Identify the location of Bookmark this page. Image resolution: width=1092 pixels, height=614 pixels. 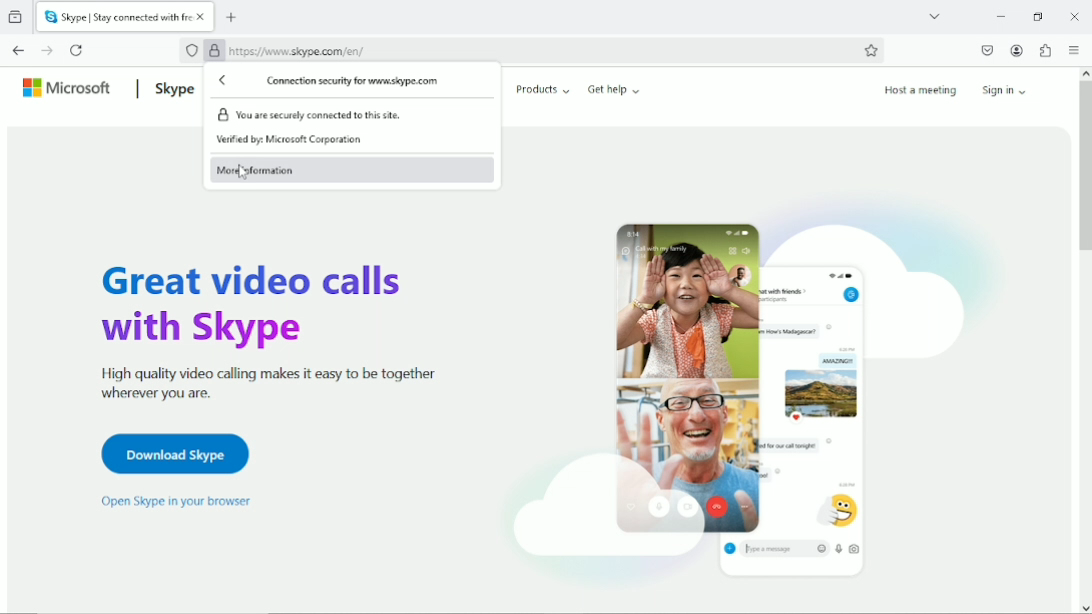
(871, 50).